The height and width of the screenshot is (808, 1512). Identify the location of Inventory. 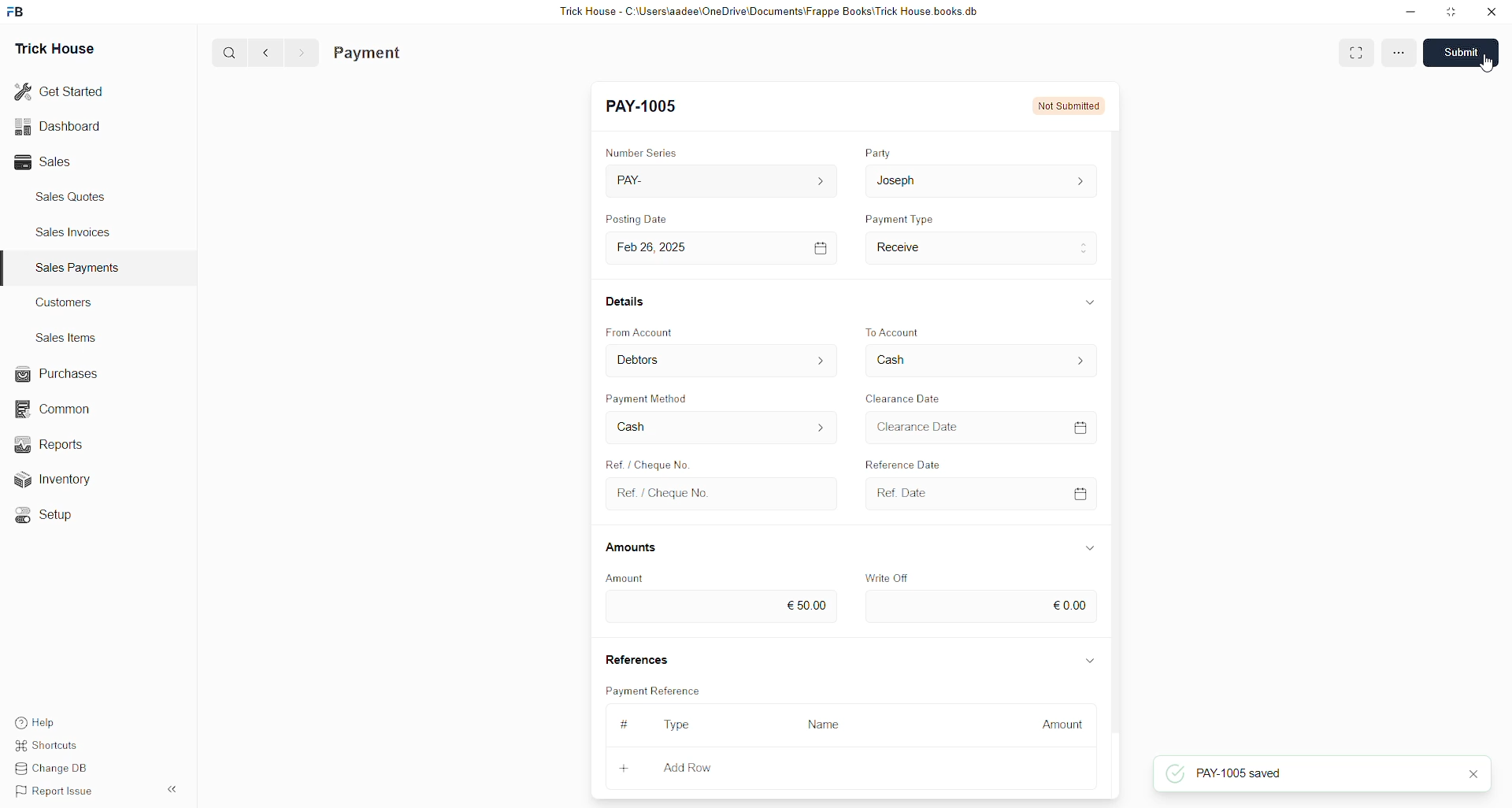
(71, 478).